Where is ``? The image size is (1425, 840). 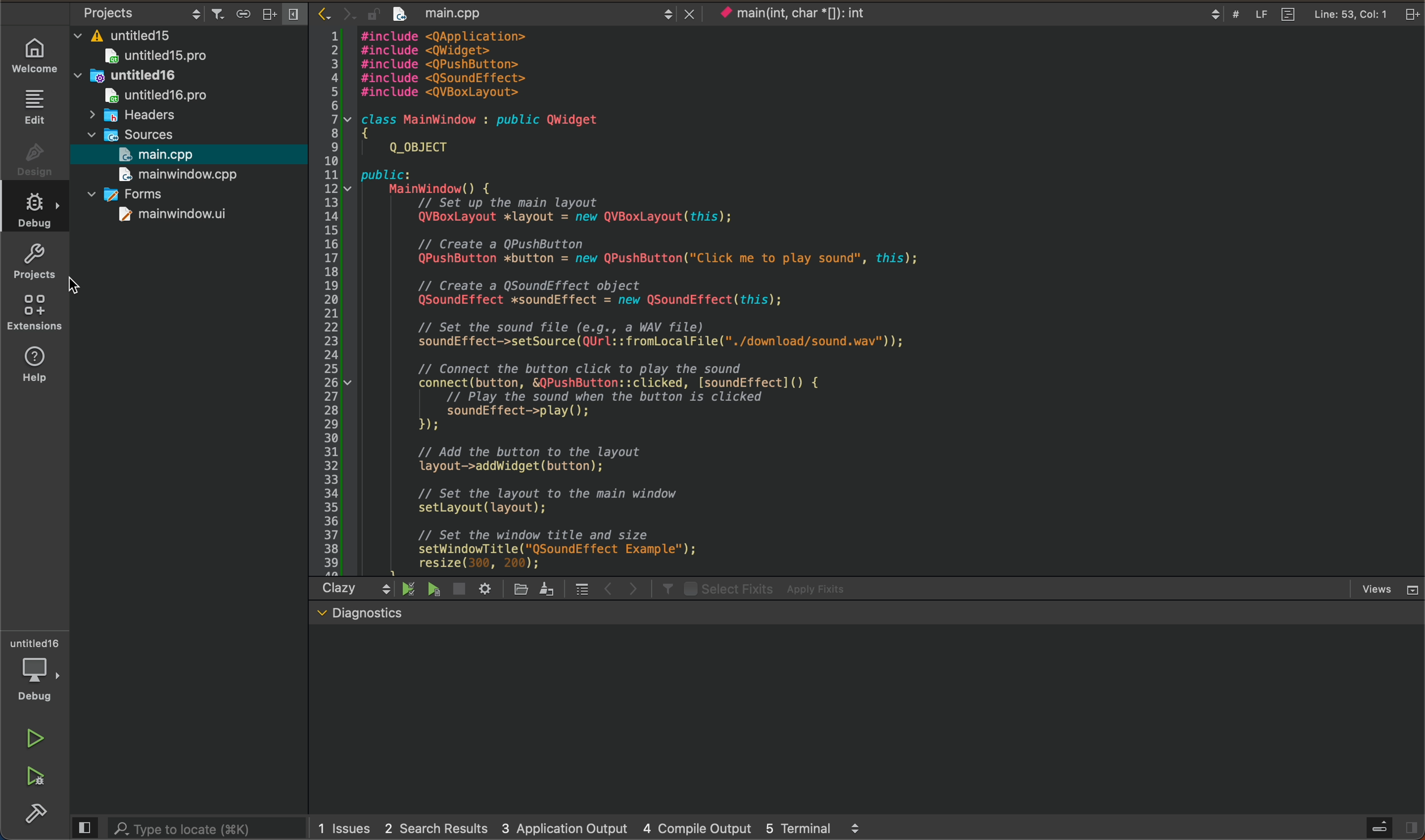  is located at coordinates (155, 153).